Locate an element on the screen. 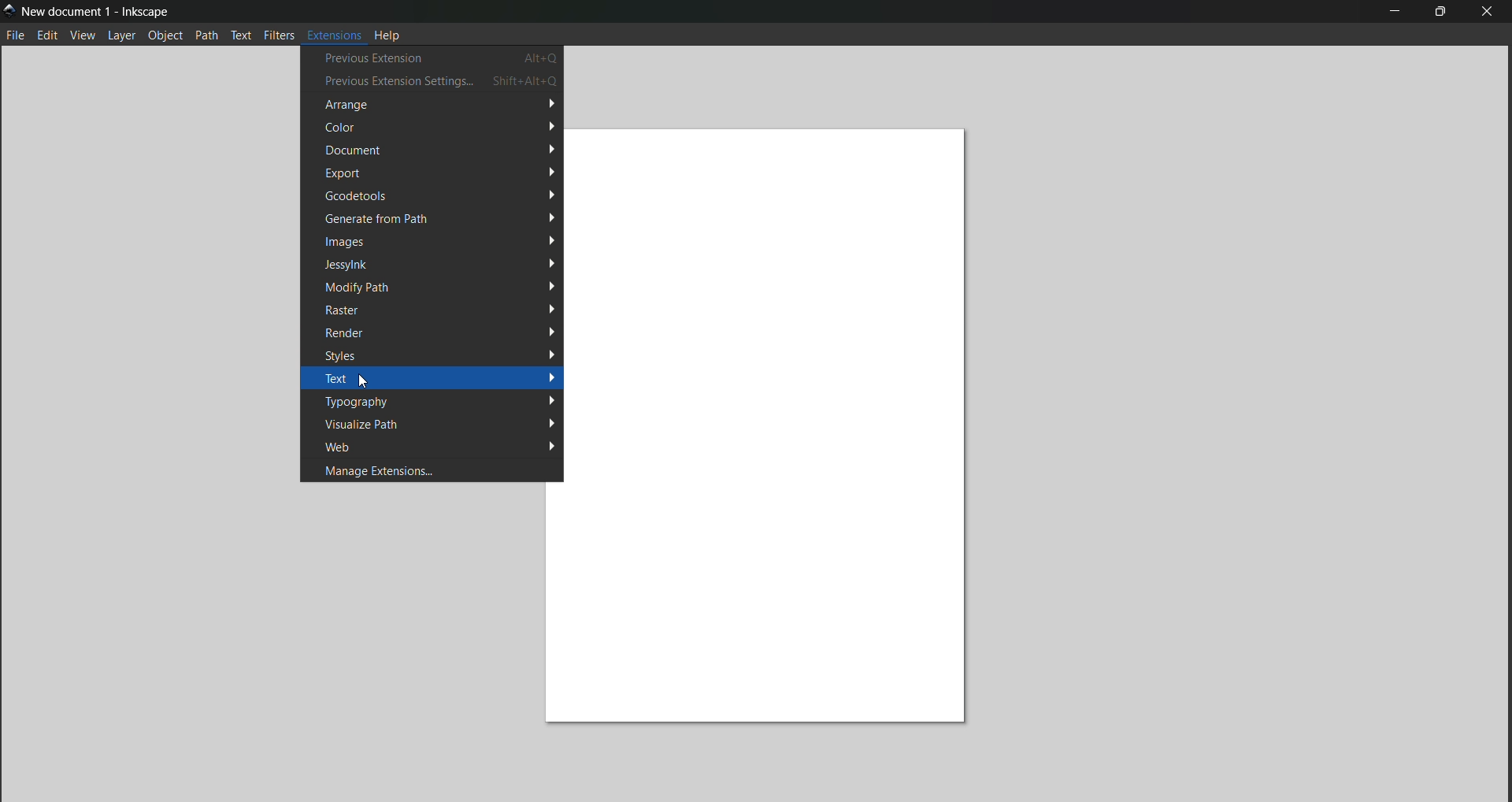 The height and width of the screenshot is (802, 1512). raster is located at coordinates (437, 310).